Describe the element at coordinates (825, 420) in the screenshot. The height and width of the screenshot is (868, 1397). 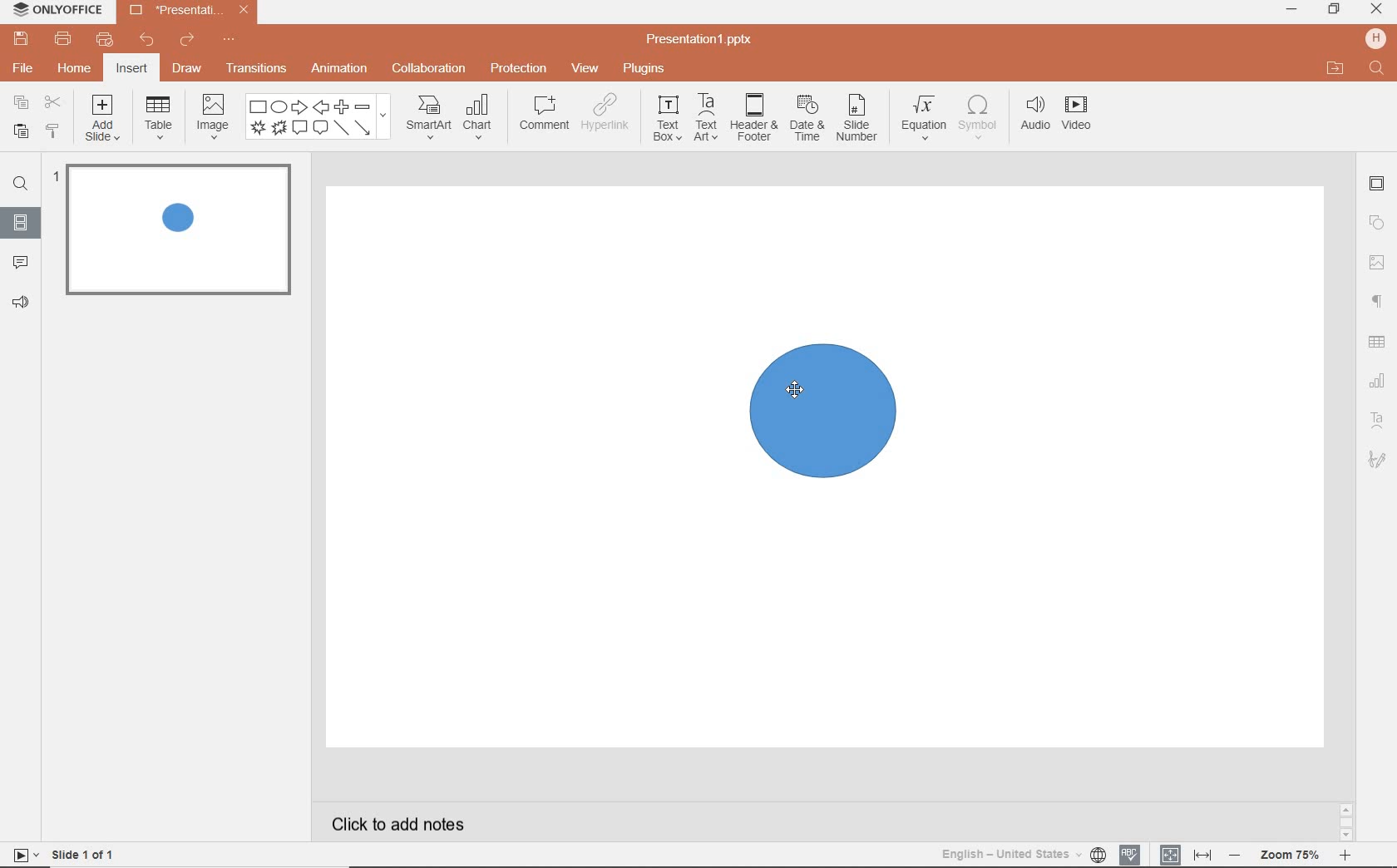
I see `shape` at that location.